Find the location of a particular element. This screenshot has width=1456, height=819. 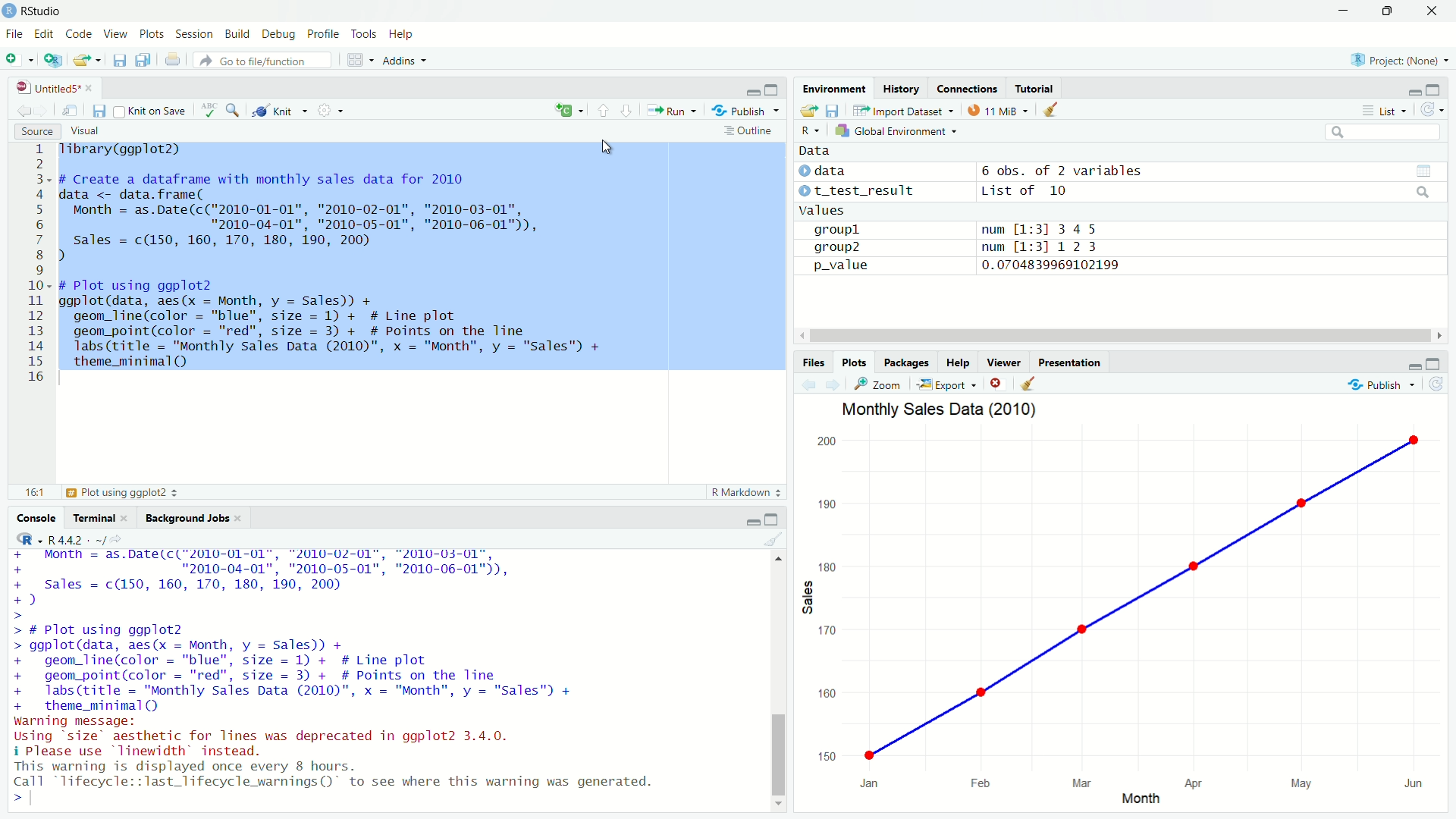

library(ggplot2)

# Create a dataframe with monthly sales data for 2010

data <- data.frame(
Month = as.Date(c("2010-01-01", "2010-02-01", "2010-03-01",

"2010-04-01", "2010-05-01", "2010-06-01")),

sales = c(150, 160, 170, 180, 190, 200)

)

# Plot using ggplot2

ggplot(data, aes(x = Month, y = Sales)) +
geom_line(color = "blue", size = 1) + # Line plot
geom_point(color = "red", size = 3) + # Points on the Tine
Tabs (title = "Monthly Sales Data (2010)", x = "Month", y = "Sales") +
theme_minimal(Q) 1 is located at coordinates (422, 256).